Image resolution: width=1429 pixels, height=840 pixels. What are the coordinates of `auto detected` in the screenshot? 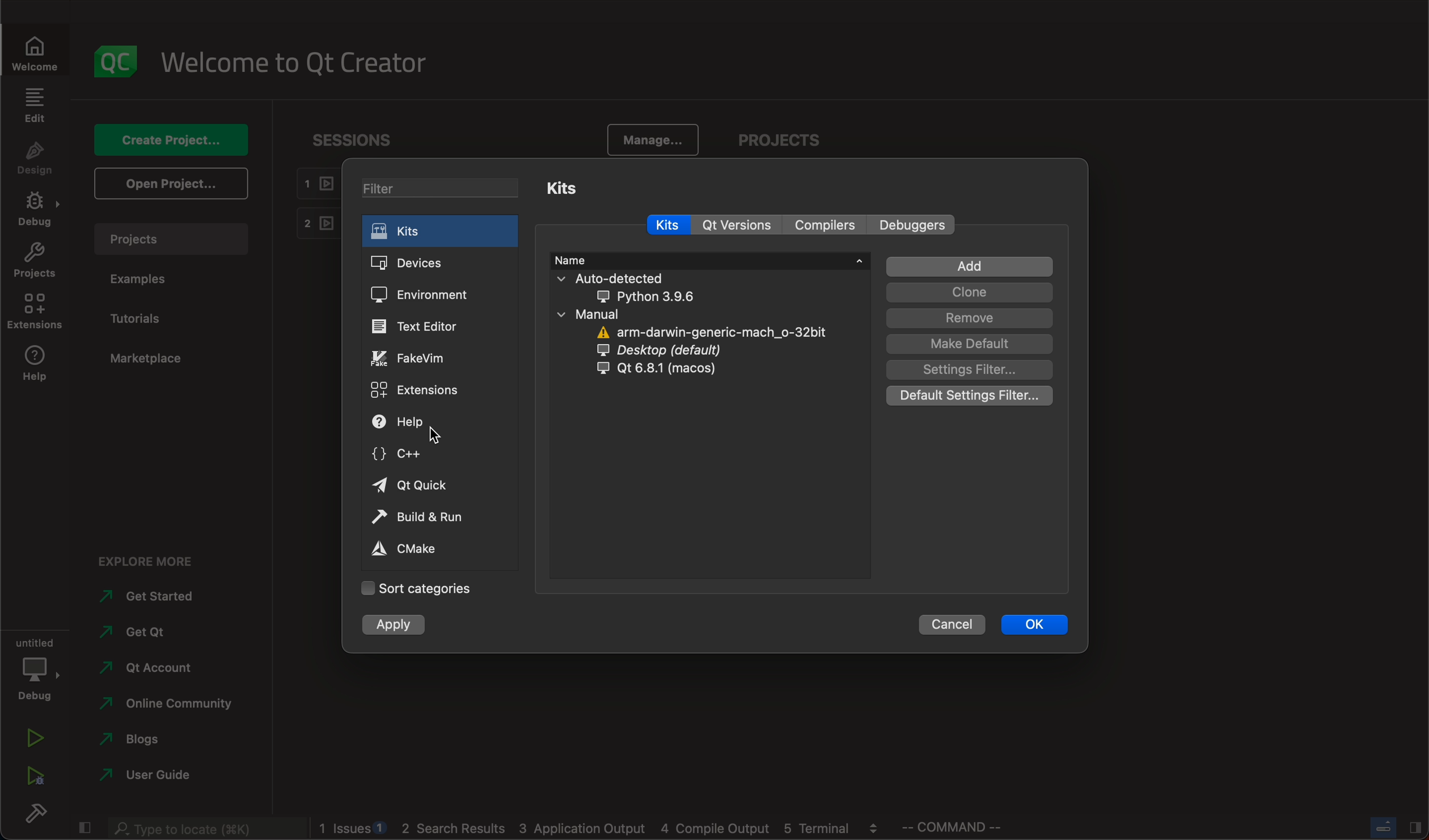 It's located at (674, 288).